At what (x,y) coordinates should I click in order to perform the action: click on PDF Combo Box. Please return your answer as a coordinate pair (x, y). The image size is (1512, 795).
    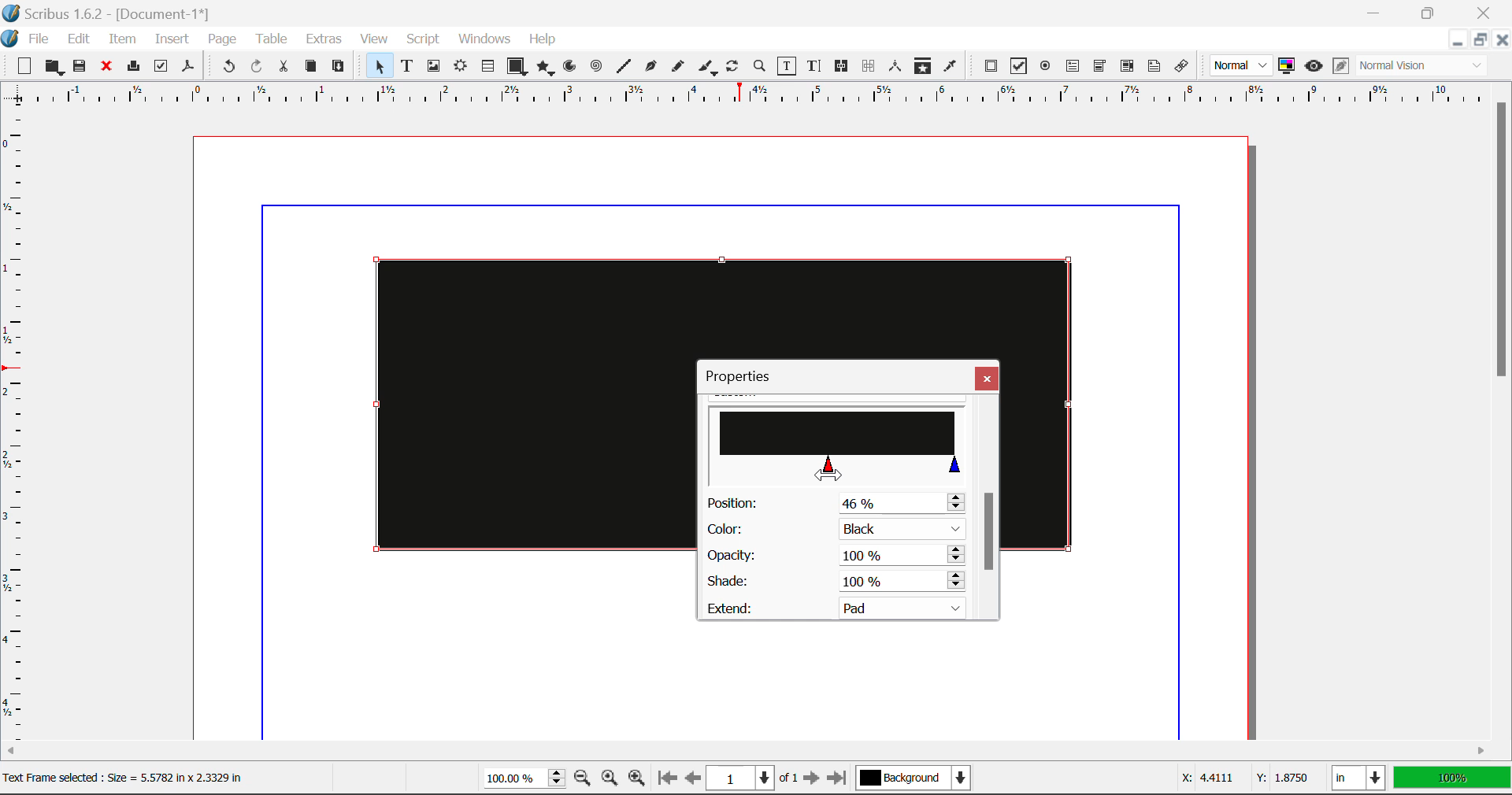
    Looking at the image, I should click on (1099, 68).